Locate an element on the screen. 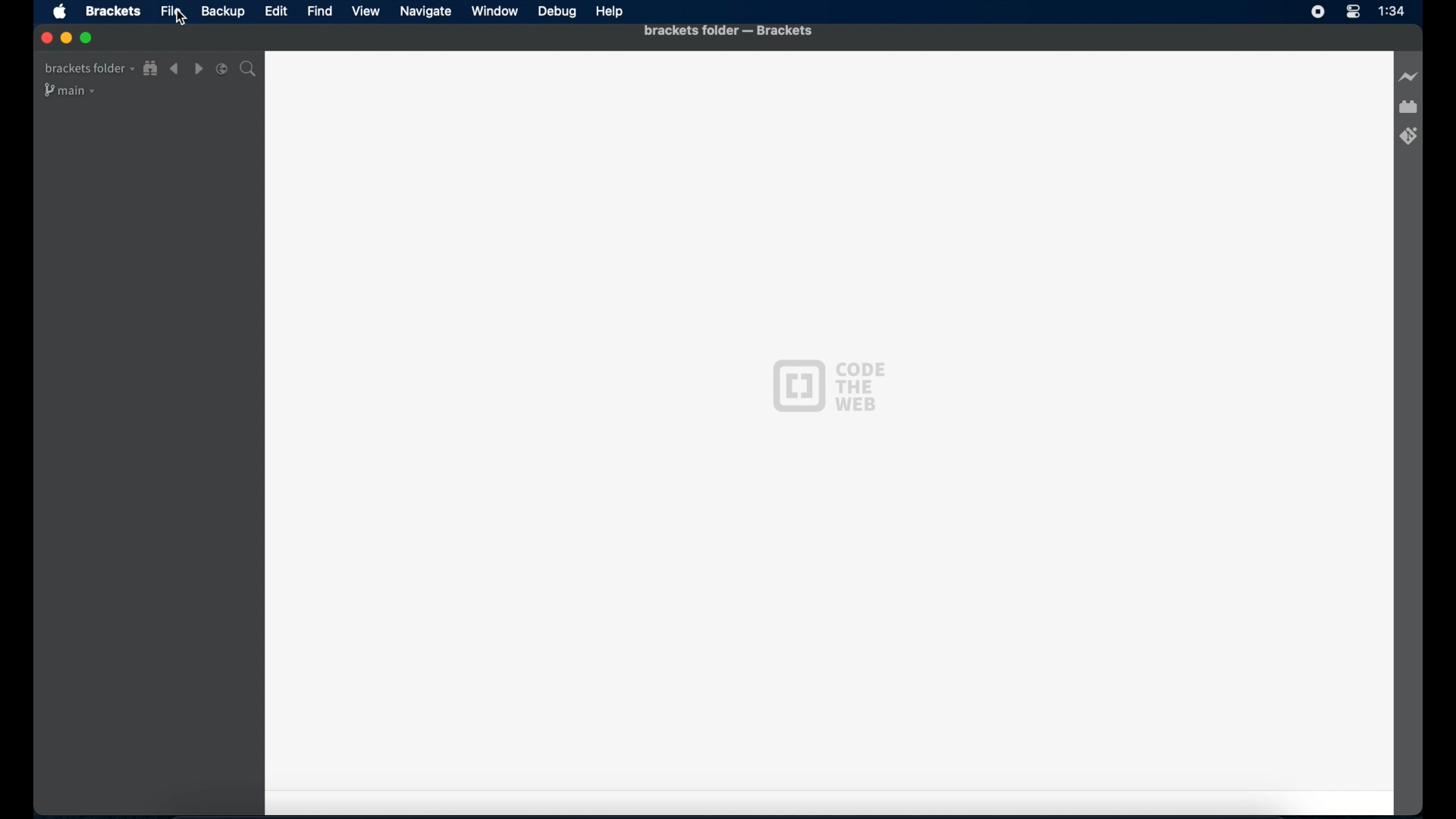 The width and height of the screenshot is (1456, 819). Find is located at coordinates (320, 11).